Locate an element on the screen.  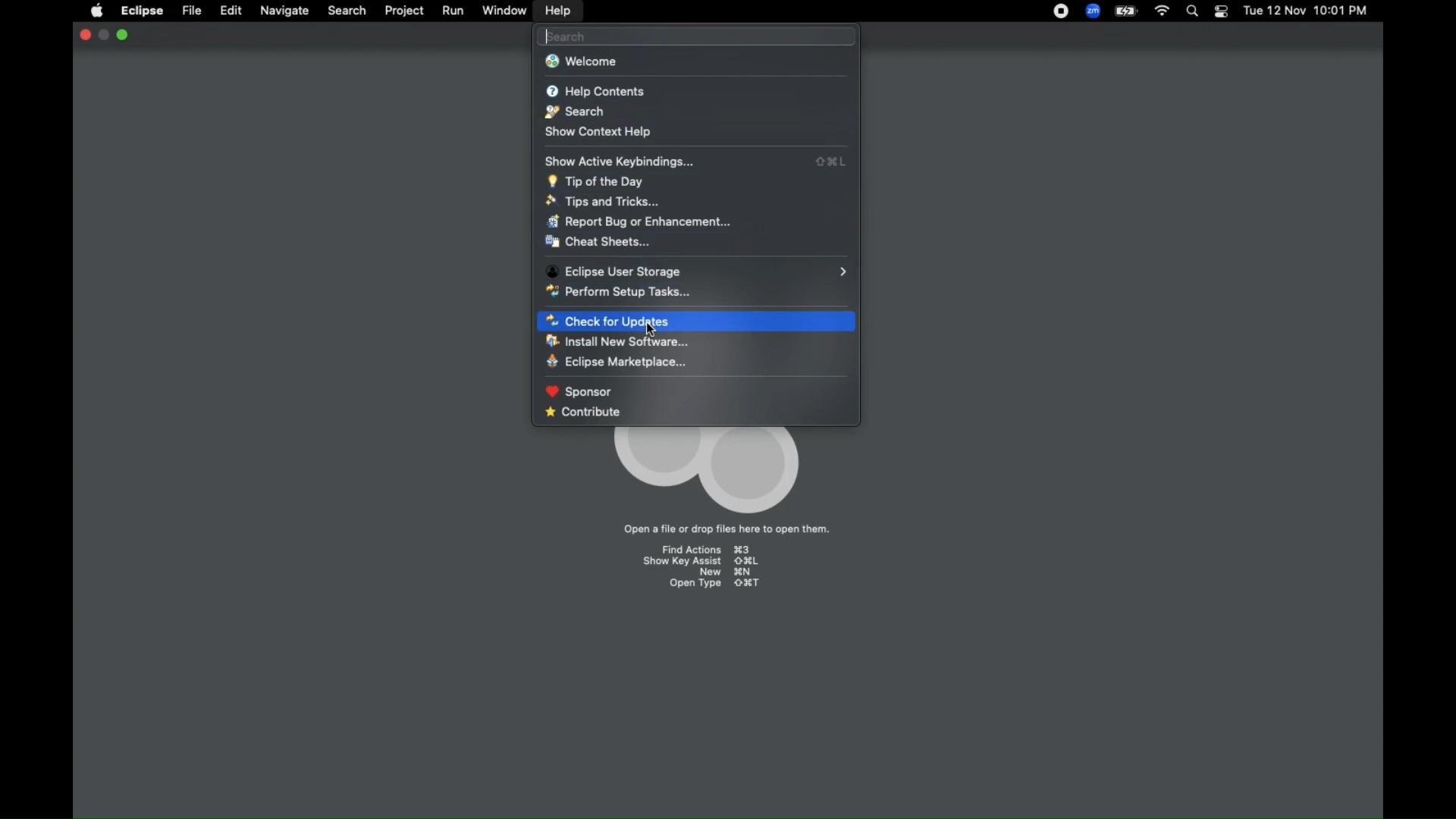
Window is located at coordinates (506, 11).